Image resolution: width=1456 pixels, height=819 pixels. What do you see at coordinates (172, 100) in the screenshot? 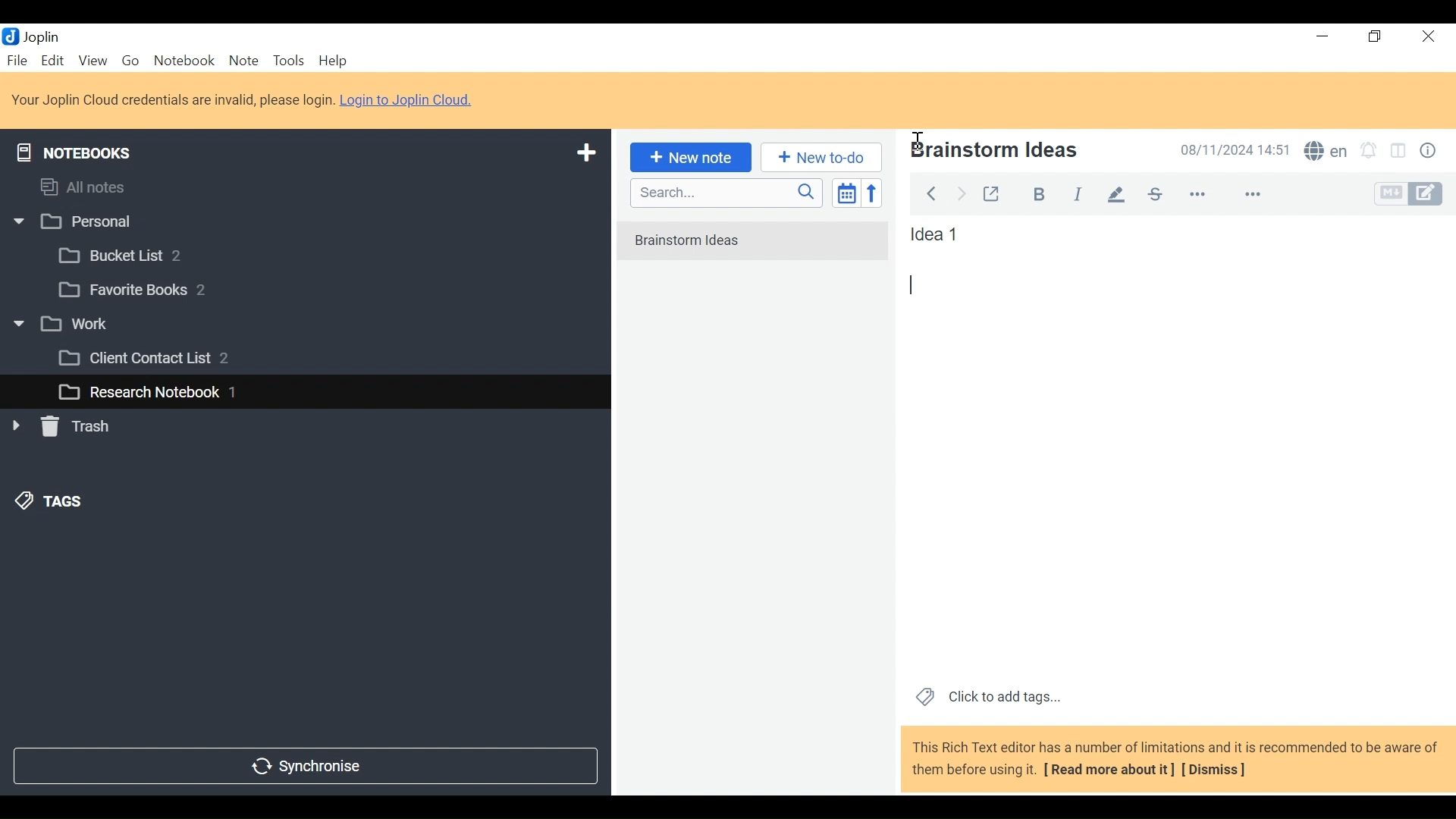
I see `Login to Joplin Cloud` at bounding box center [172, 100].